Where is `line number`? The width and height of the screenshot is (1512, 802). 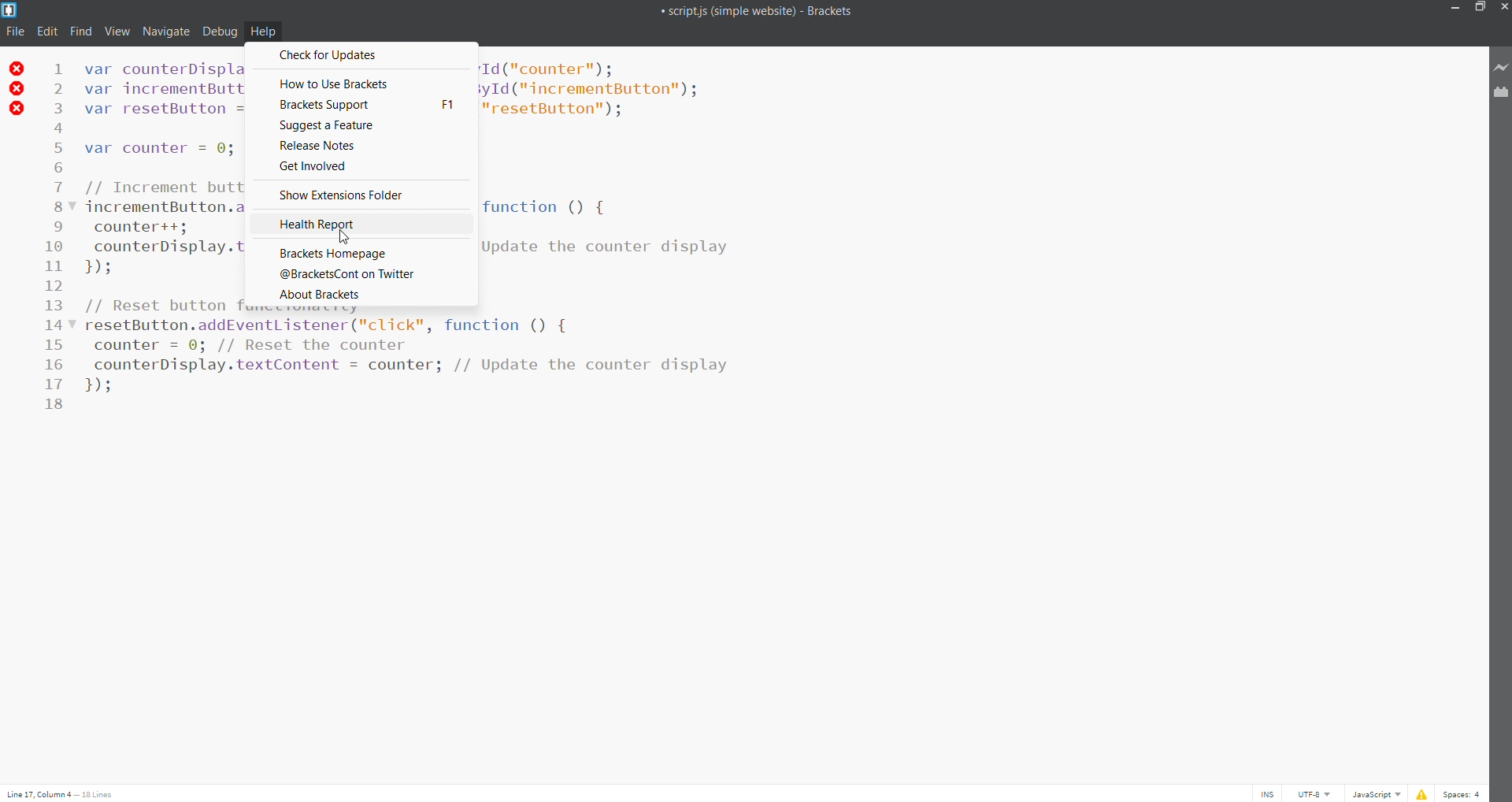 line number is located at coordinates (61, 234).